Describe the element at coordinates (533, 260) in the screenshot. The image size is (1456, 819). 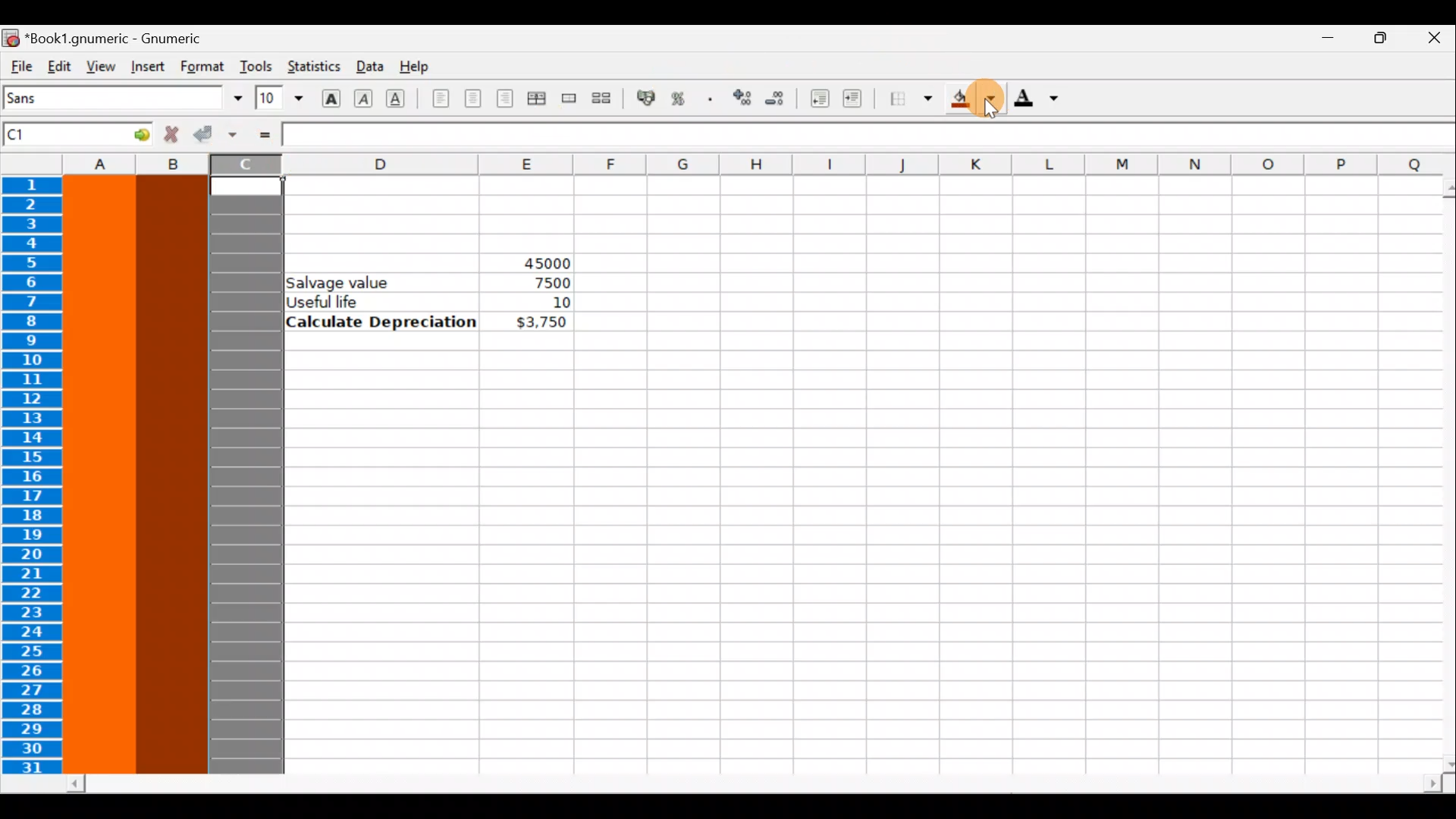
I see `45000` at that location.